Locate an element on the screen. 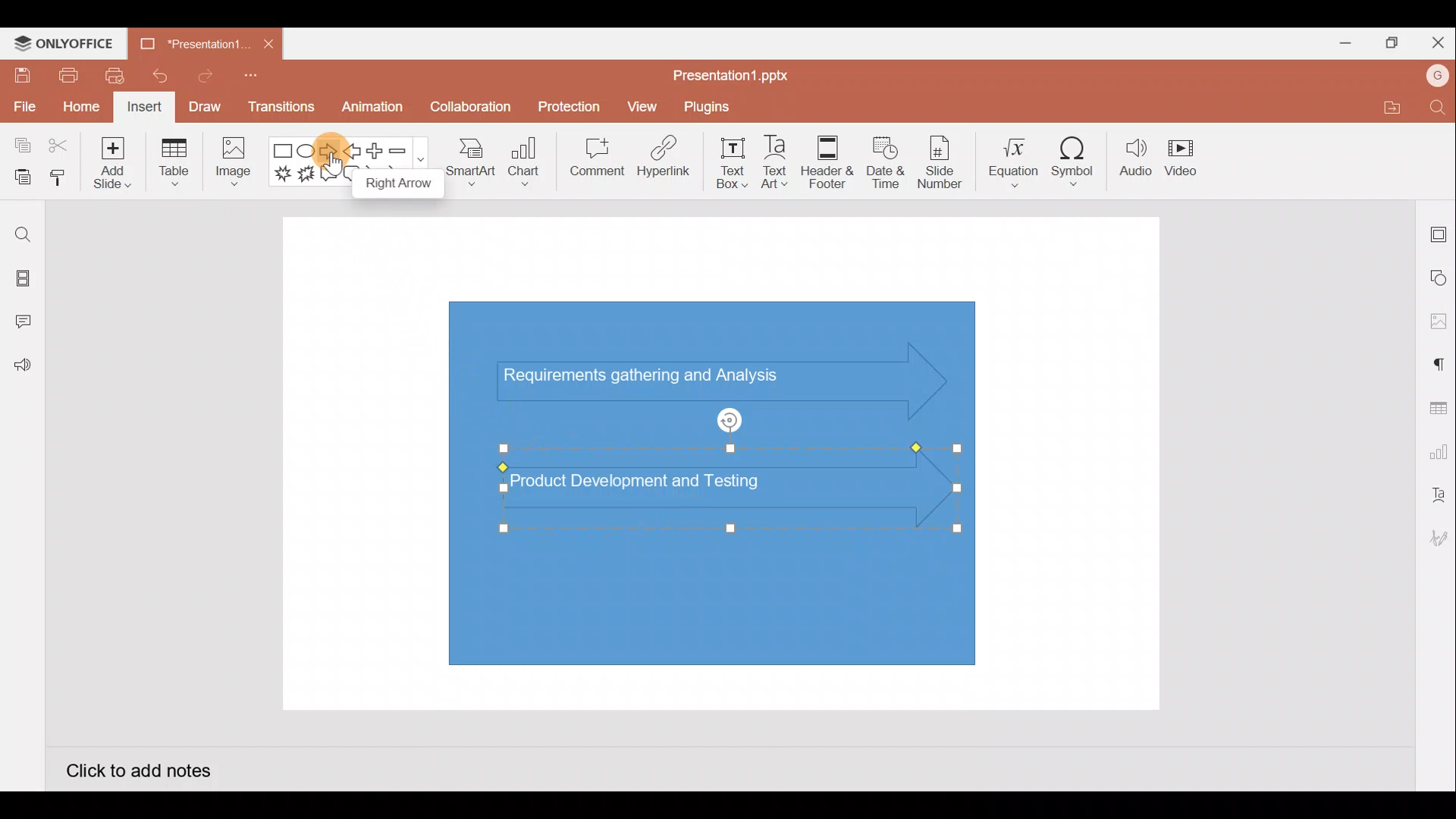  Hyperlink is located at coordinates (660, 158).